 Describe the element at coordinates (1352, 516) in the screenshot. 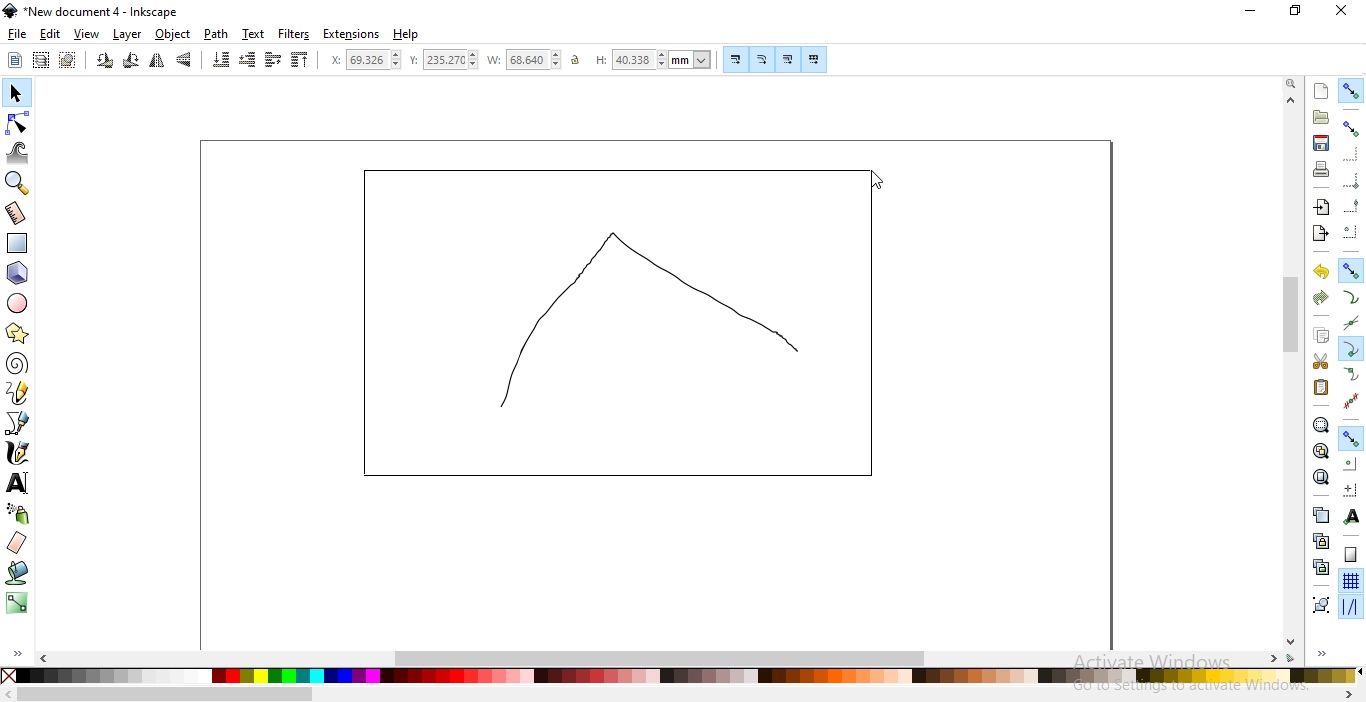

I see `snap text anchors and baseline` at that location.